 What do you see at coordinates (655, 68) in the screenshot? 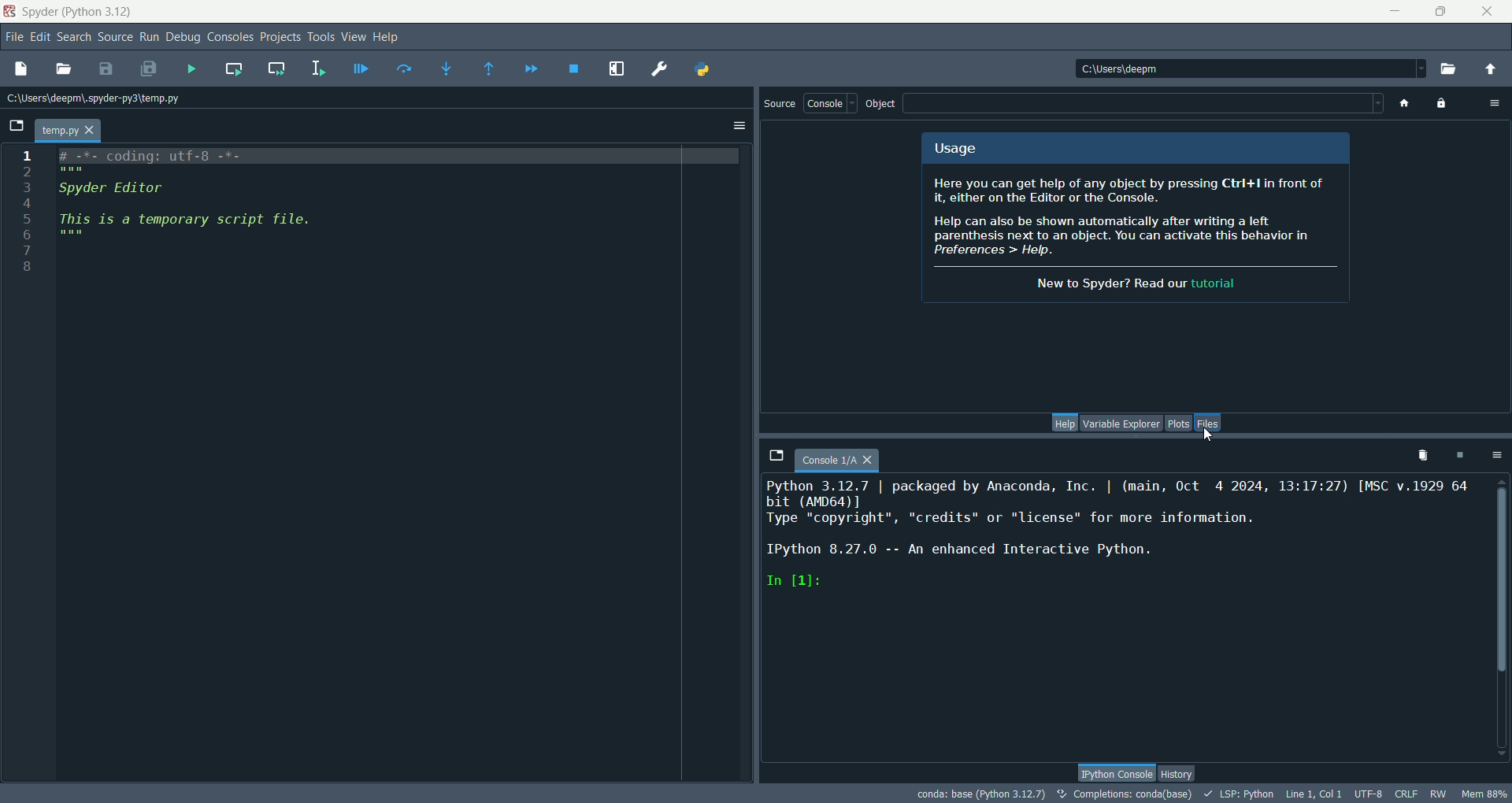
I see `preferences` at bounding box center [655, 68].